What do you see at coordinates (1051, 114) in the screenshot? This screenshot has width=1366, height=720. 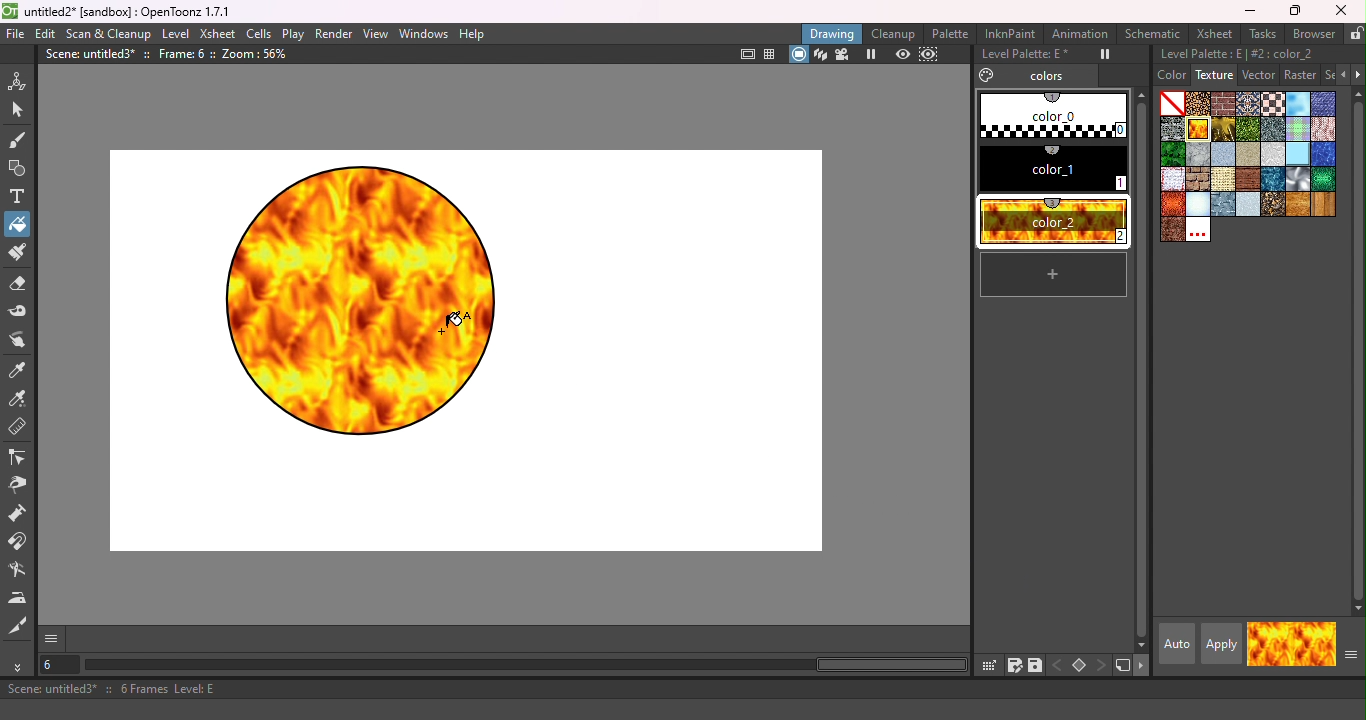 I see `#0 color_0 (1)` at bounding box center [1051, 114].